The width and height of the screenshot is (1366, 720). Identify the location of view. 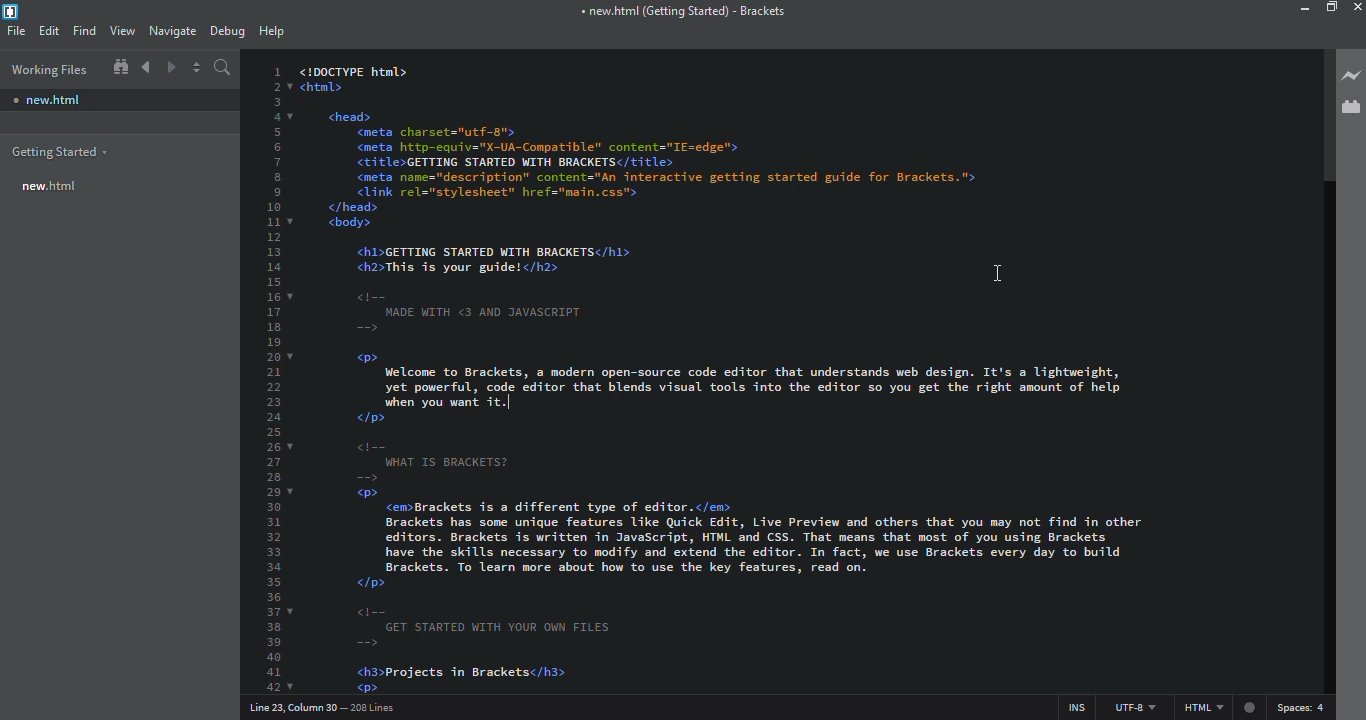
(123, 29).